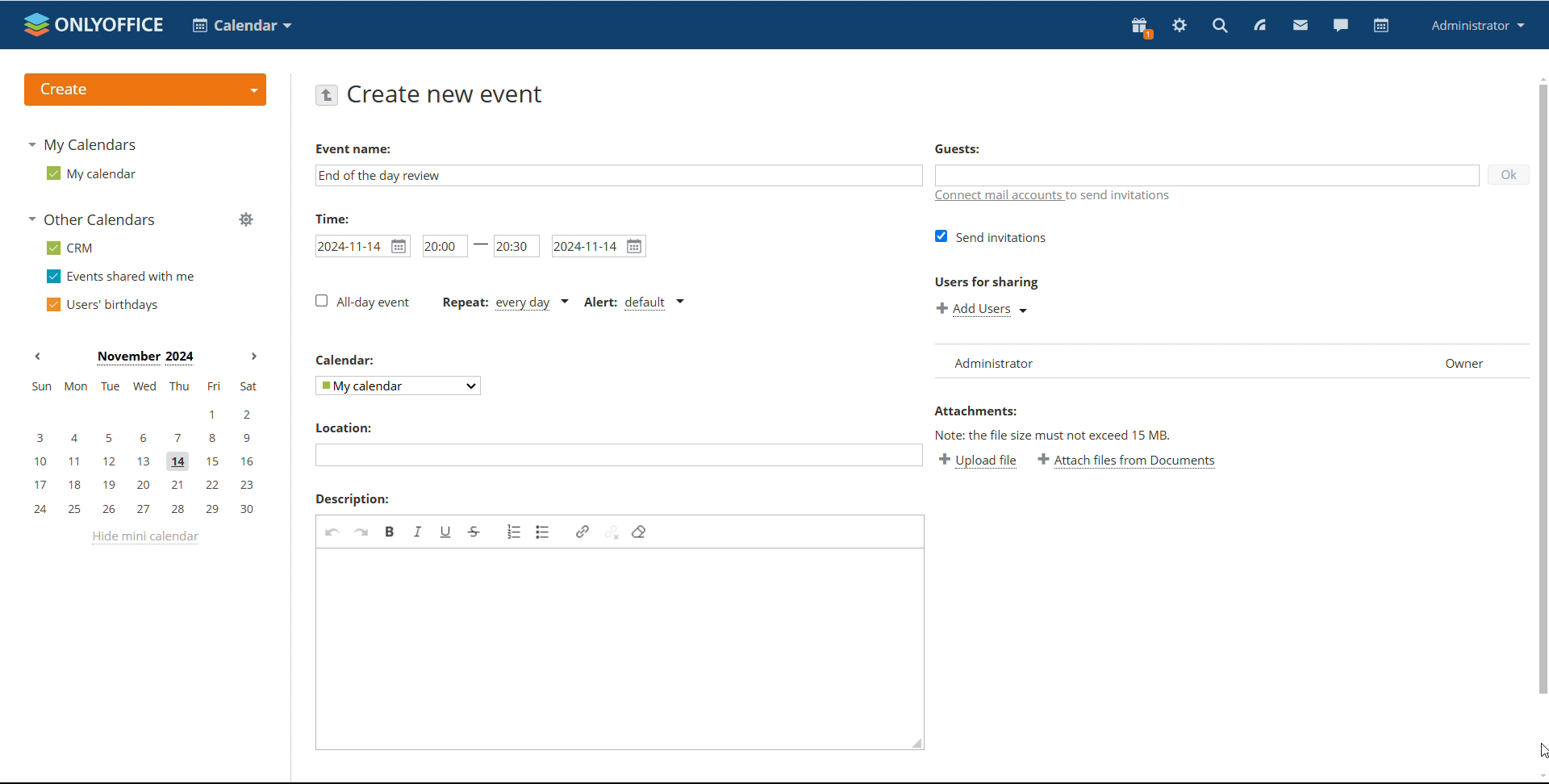  What do you see at coordinates (90, 173) in the screenshot?
I see `my calendar` at bounding box center [90, 173].